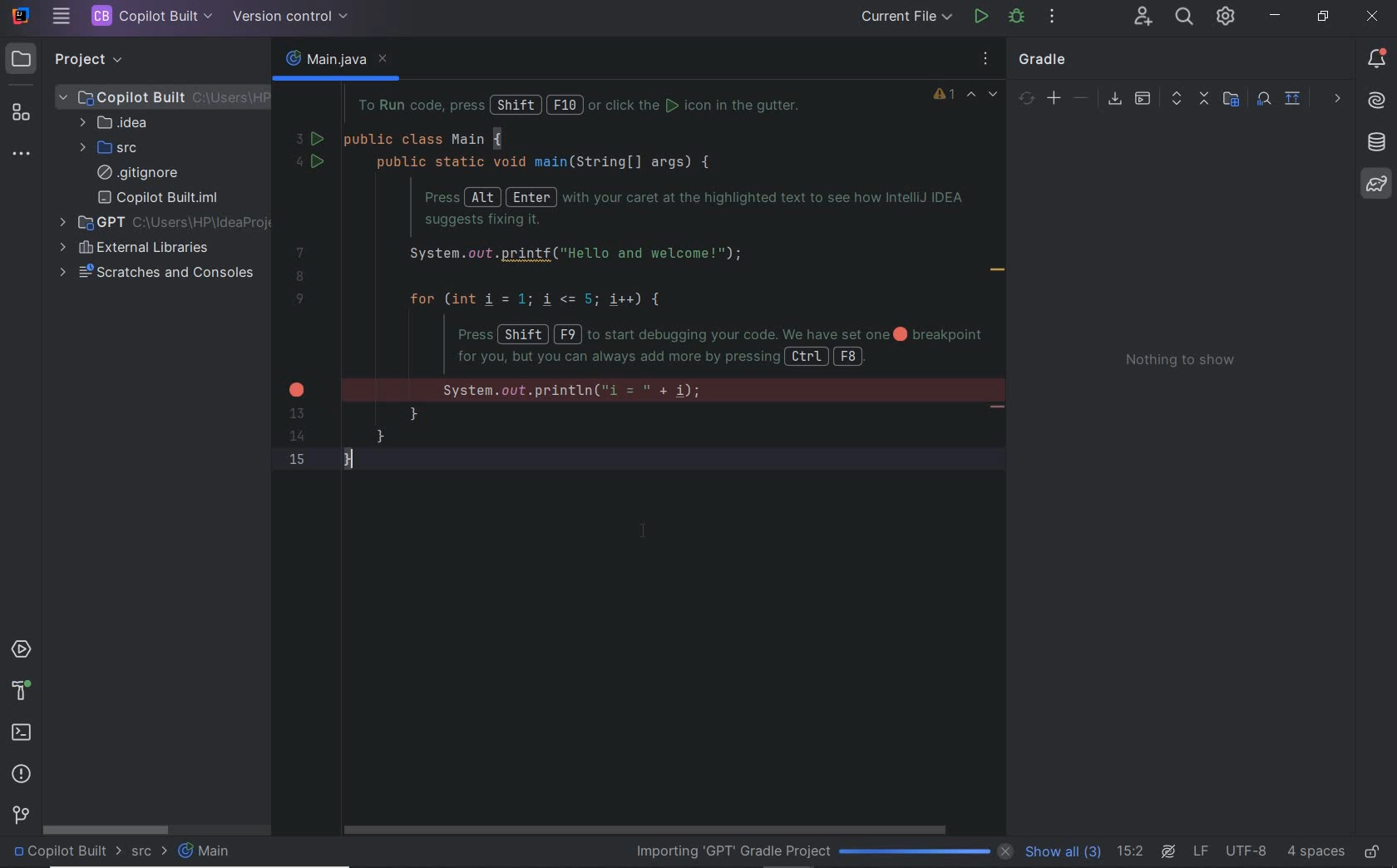  Describe the element at coordinates (1227, 17) in the screenshot. I see `IDE & PROJECT SETTINGS` at that location.